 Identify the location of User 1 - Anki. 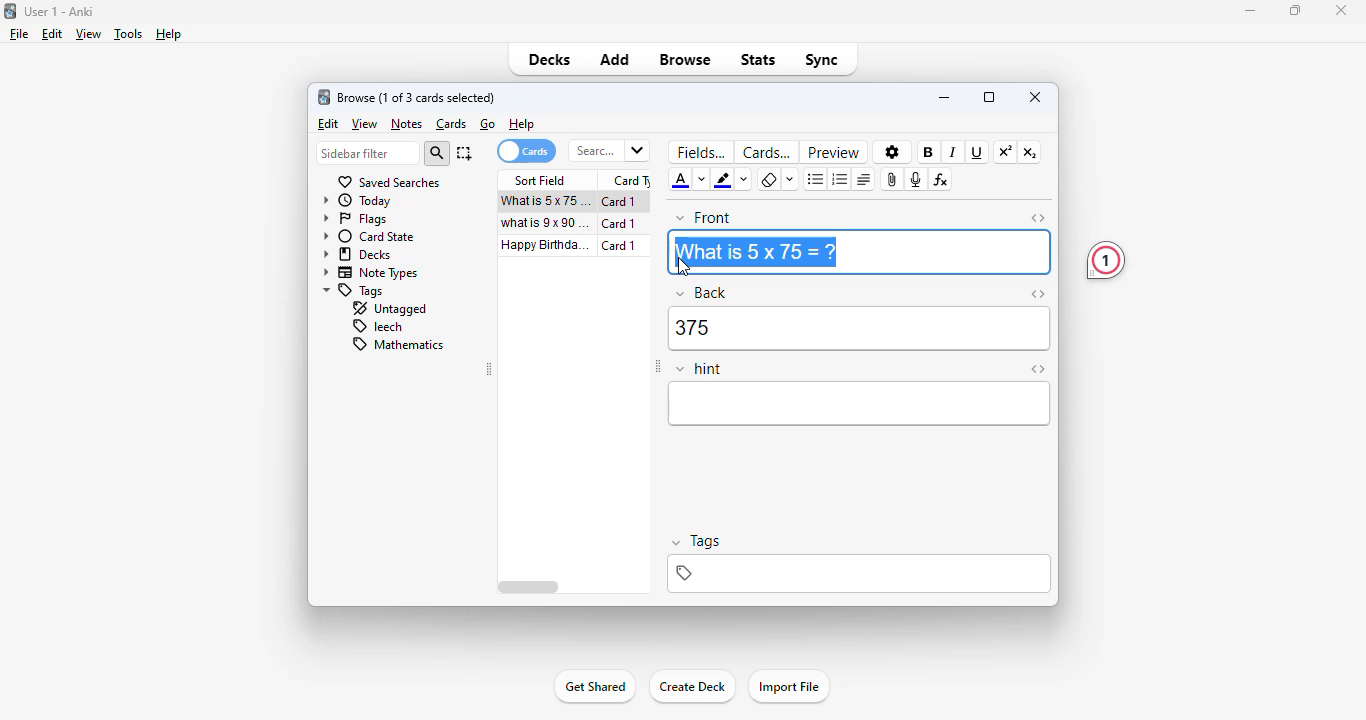
(60, 11).